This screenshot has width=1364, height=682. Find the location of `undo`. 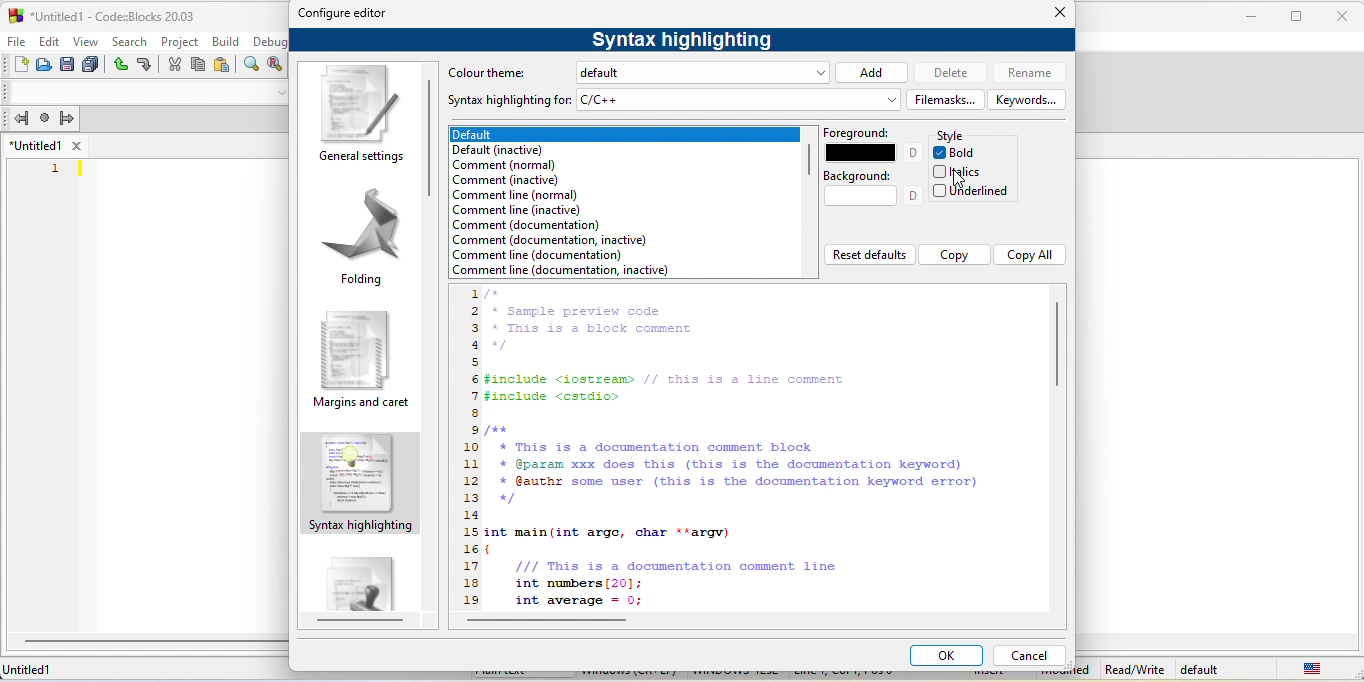

undo is located at coordinates (119, 65).